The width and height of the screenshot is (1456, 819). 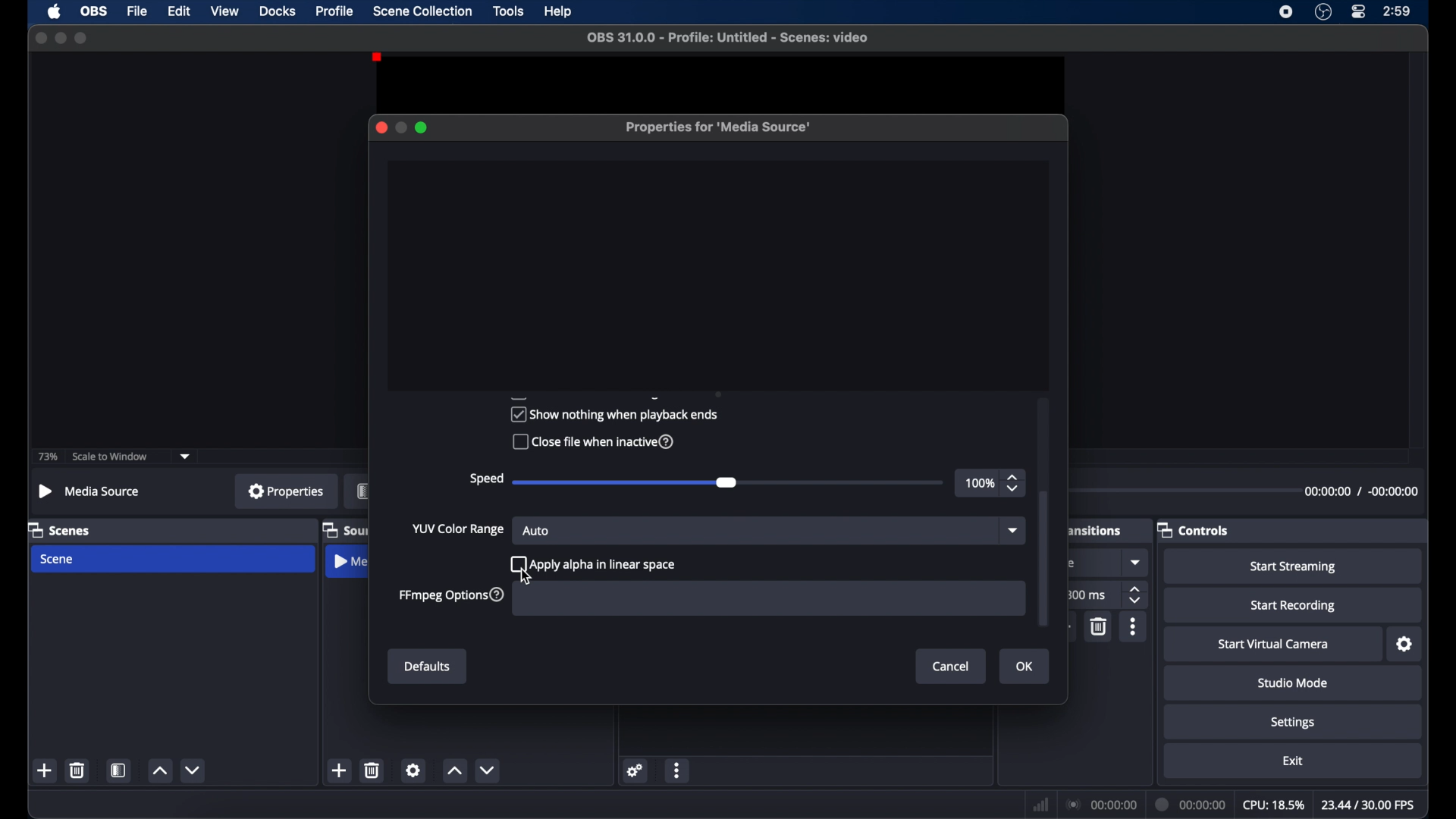 What do you see at coordinates (487, 771) in the screenshot?
I see `decrement` at bounding box center [487, 771].